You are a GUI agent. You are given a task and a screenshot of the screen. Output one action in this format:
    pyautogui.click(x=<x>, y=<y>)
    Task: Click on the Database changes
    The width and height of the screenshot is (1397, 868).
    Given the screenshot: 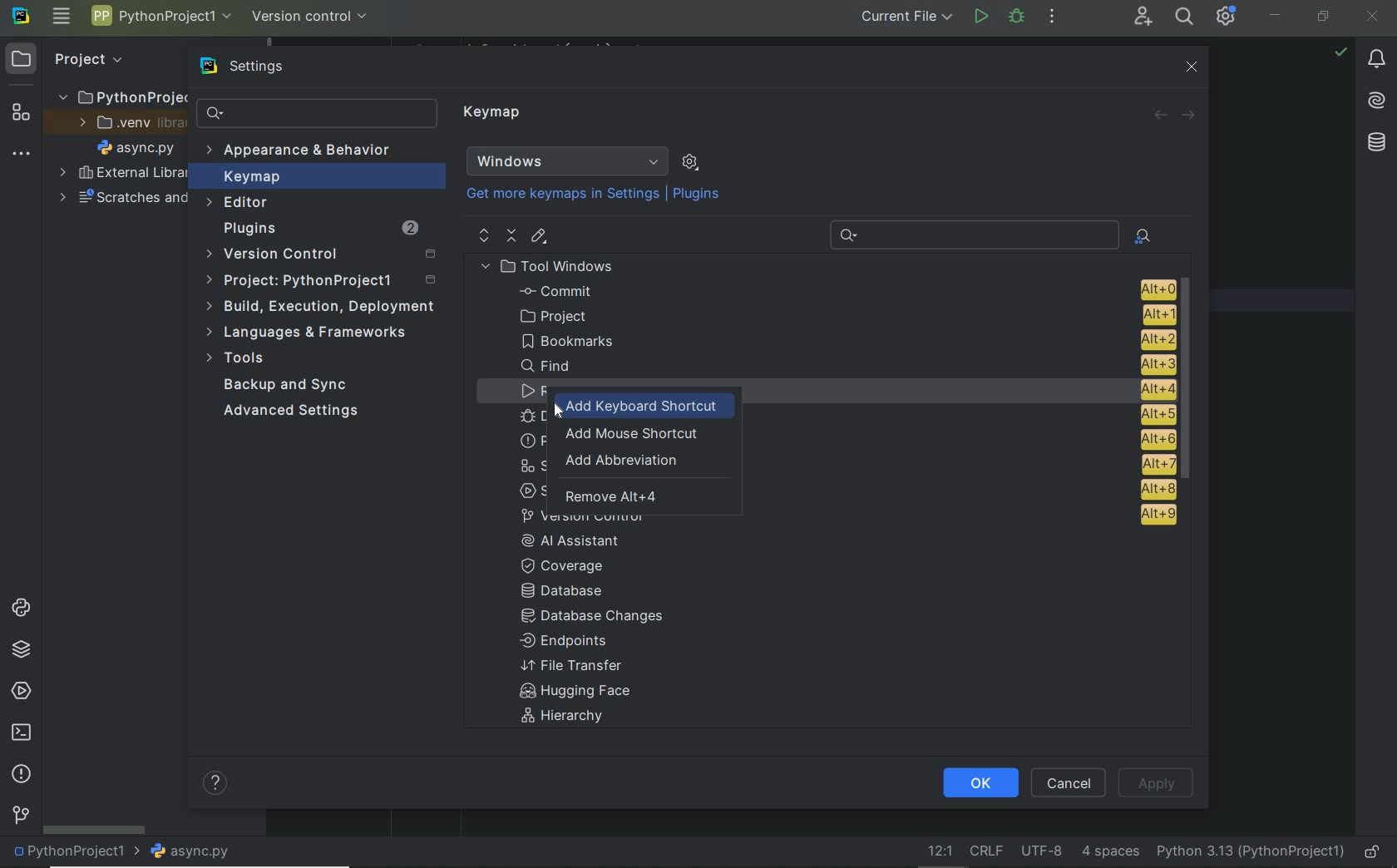 What is the action you would take?
    pyautogui.click(x=594, y=618)
    